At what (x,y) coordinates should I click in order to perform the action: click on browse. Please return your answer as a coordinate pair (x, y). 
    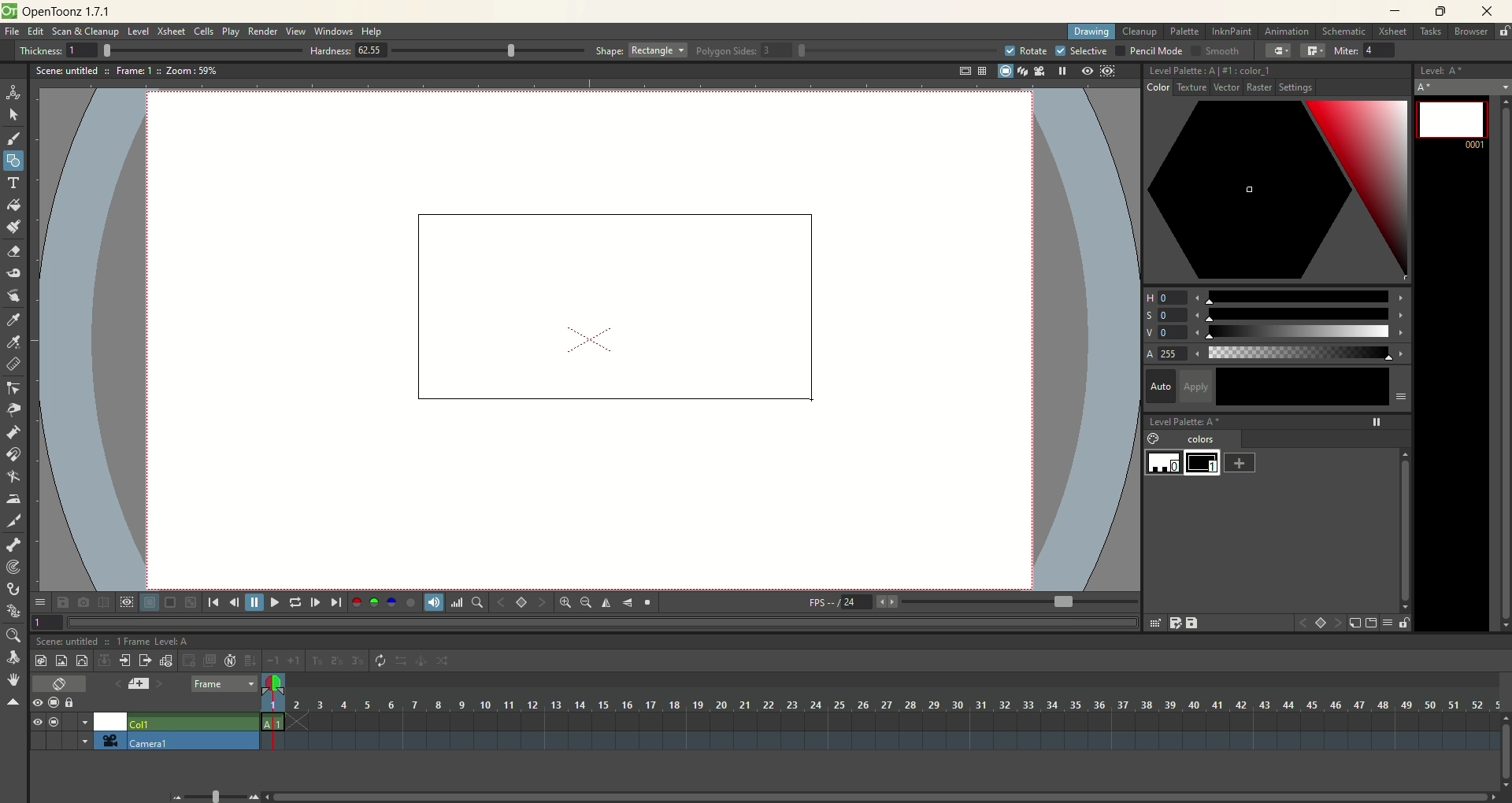
    Looking at the image, I should click on (1472, 32).